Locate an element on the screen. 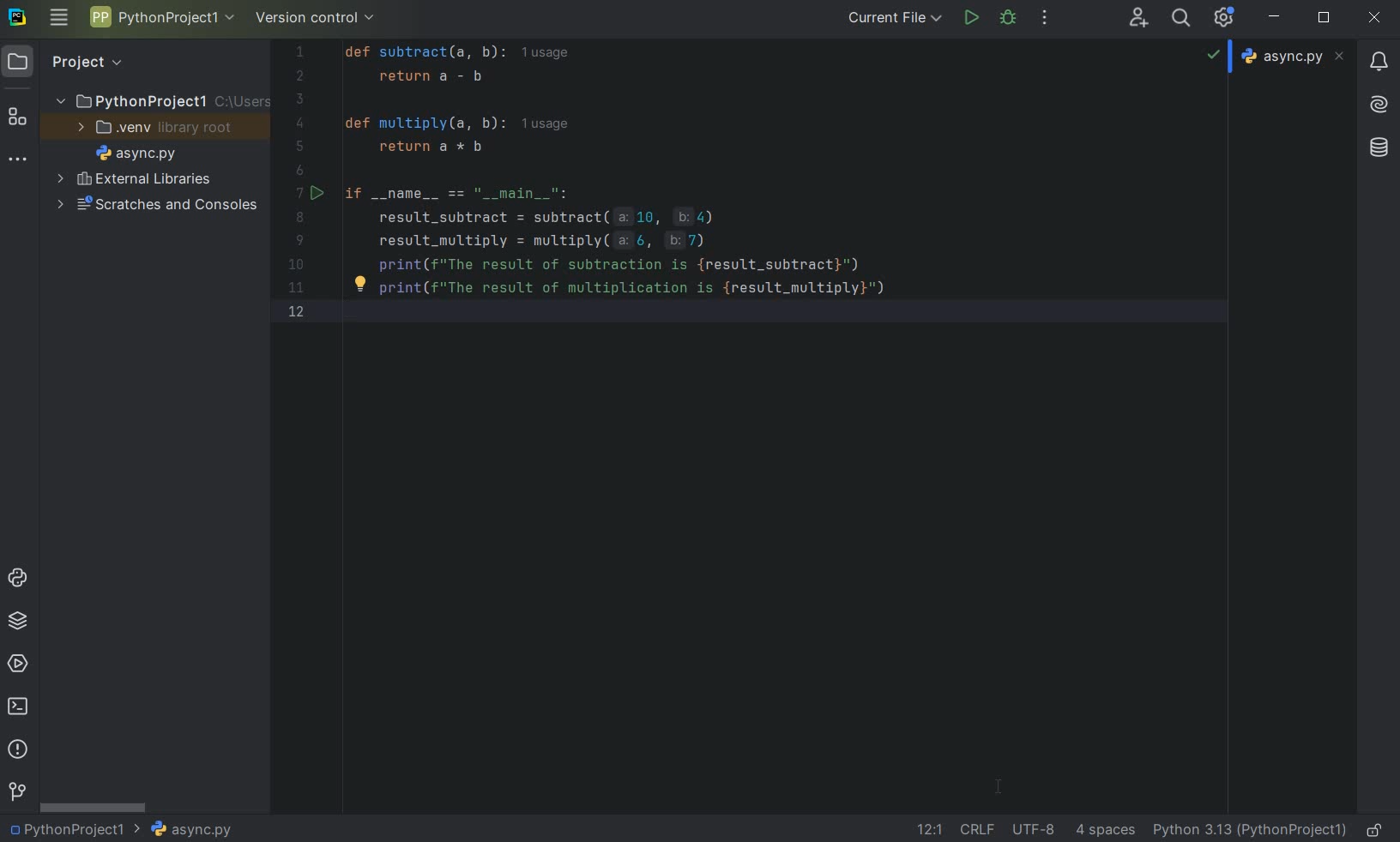 The width and height of the screenshot is (1400, 842). project name is located at coordinates (161, 17).